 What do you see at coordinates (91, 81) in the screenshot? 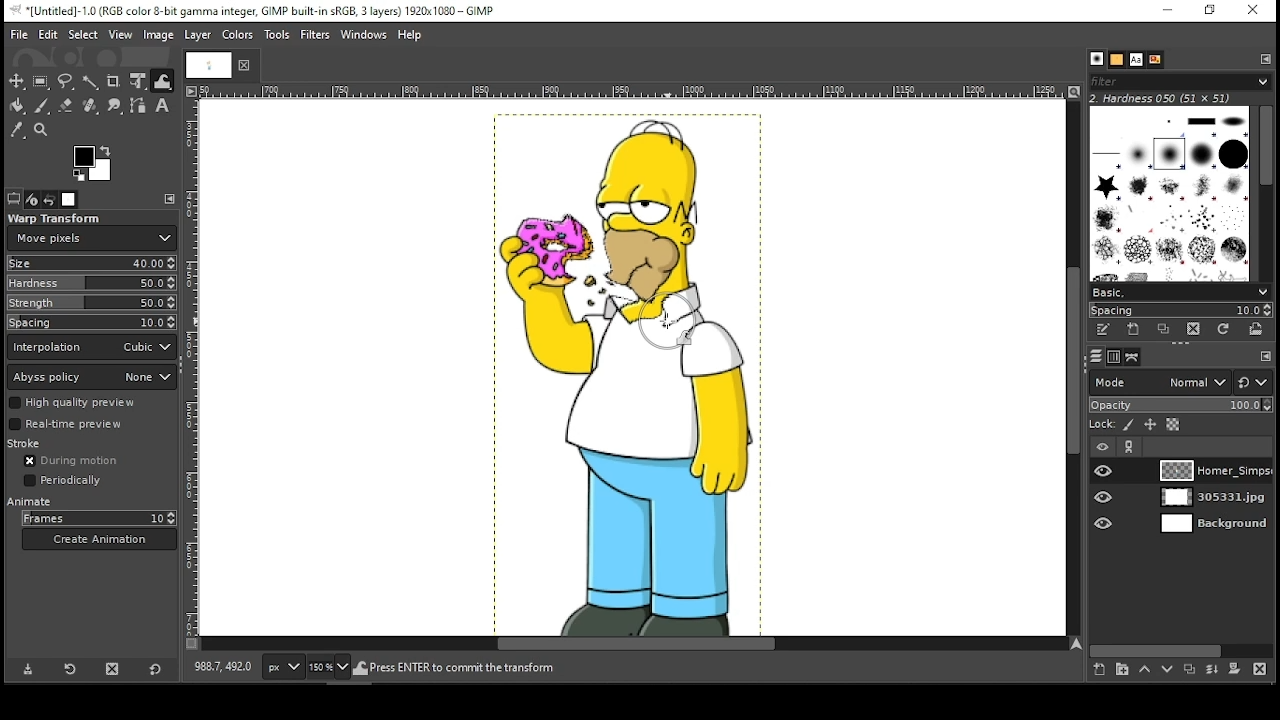
I see `fuzzy select tool` at bounding box center [91, 81].